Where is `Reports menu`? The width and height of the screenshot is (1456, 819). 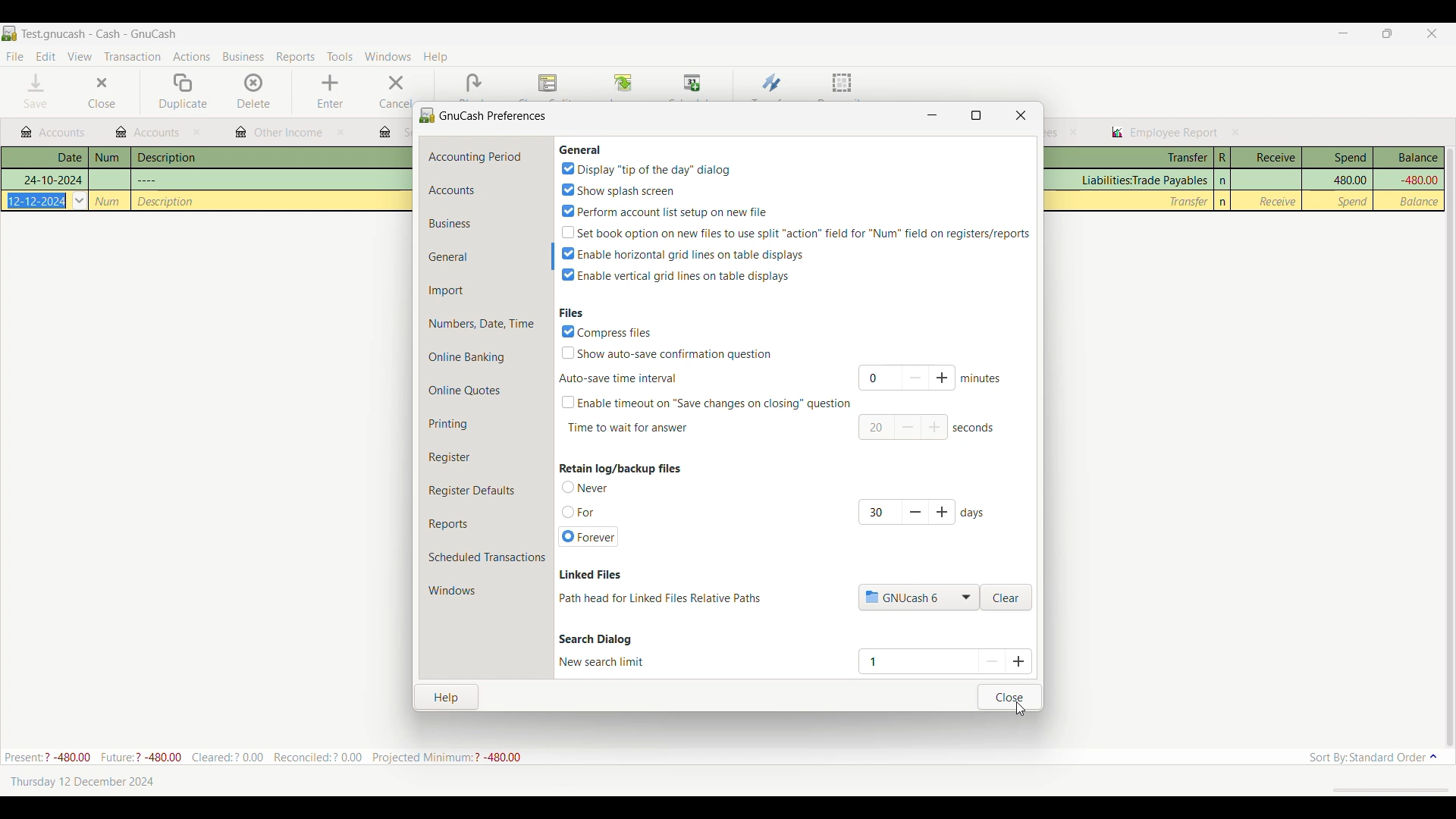
Reports menu is located at coordinates (296, 57).